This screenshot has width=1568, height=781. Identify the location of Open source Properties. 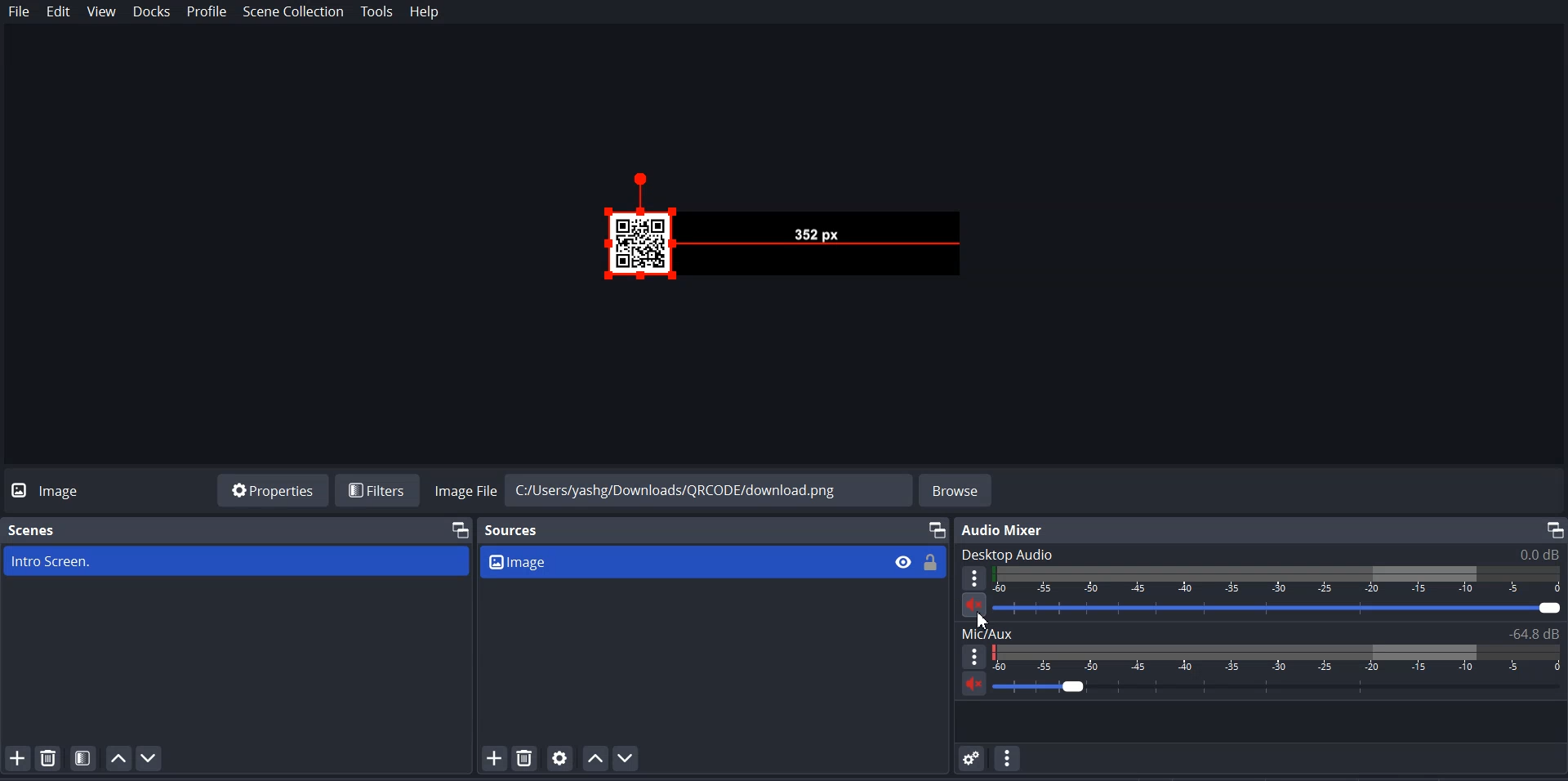
(561, 757).